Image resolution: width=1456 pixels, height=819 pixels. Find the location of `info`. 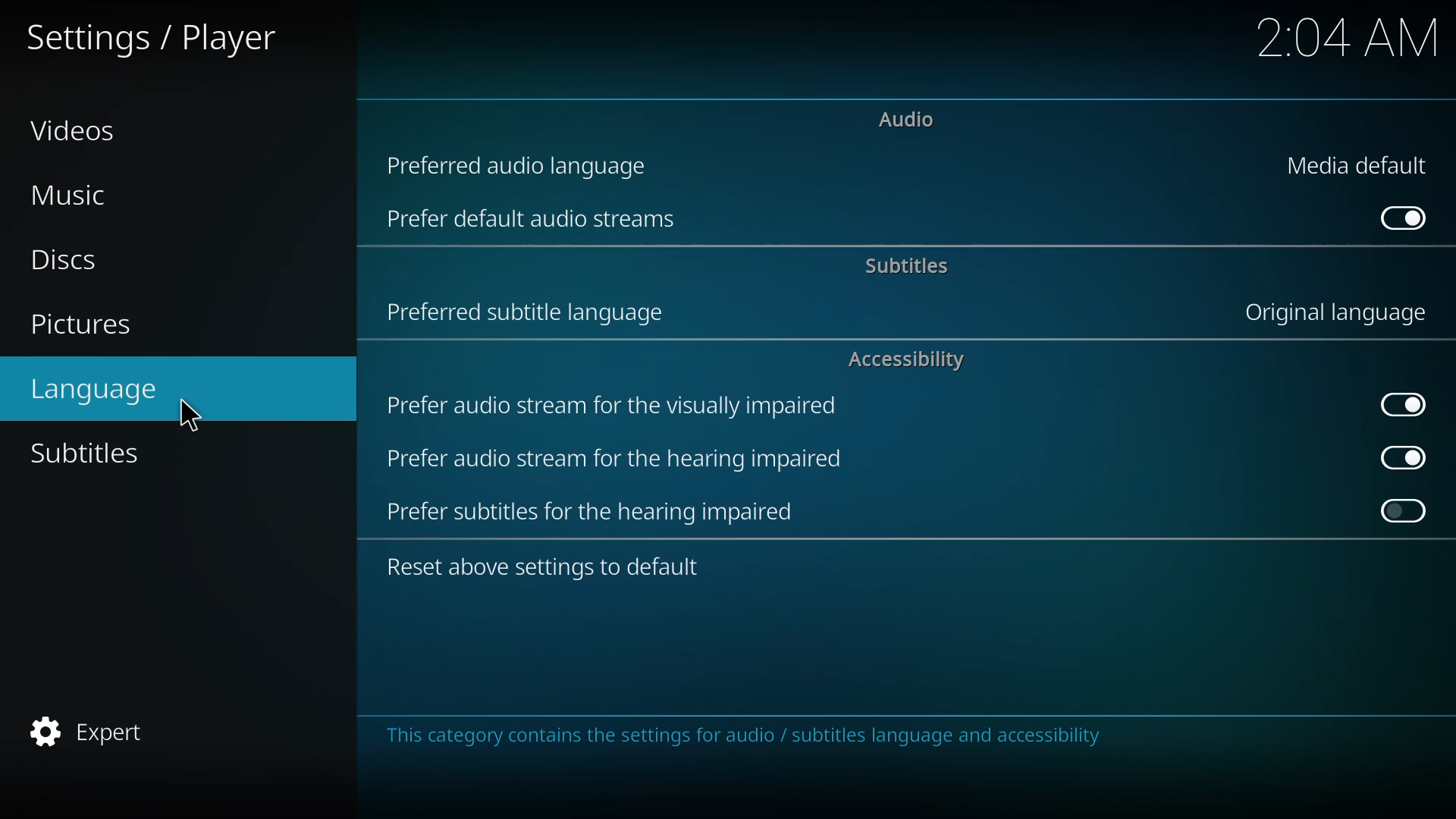

info is located at coordinates (743, 736).